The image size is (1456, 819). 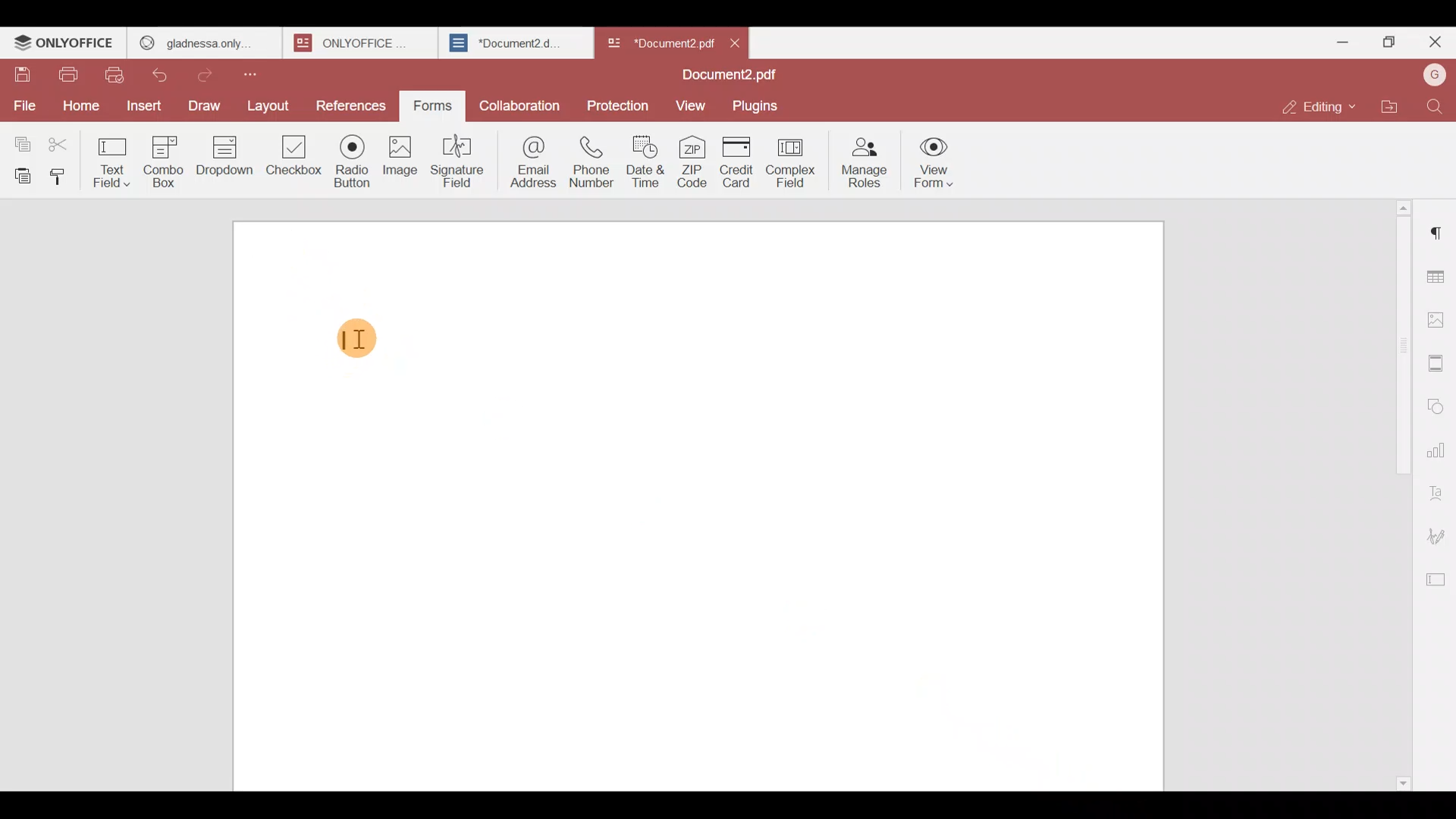 What do you see at coordinates (199, 39) in the screenshot?
I see `GLADNESS ONLY` at bounding box center [199, 39].